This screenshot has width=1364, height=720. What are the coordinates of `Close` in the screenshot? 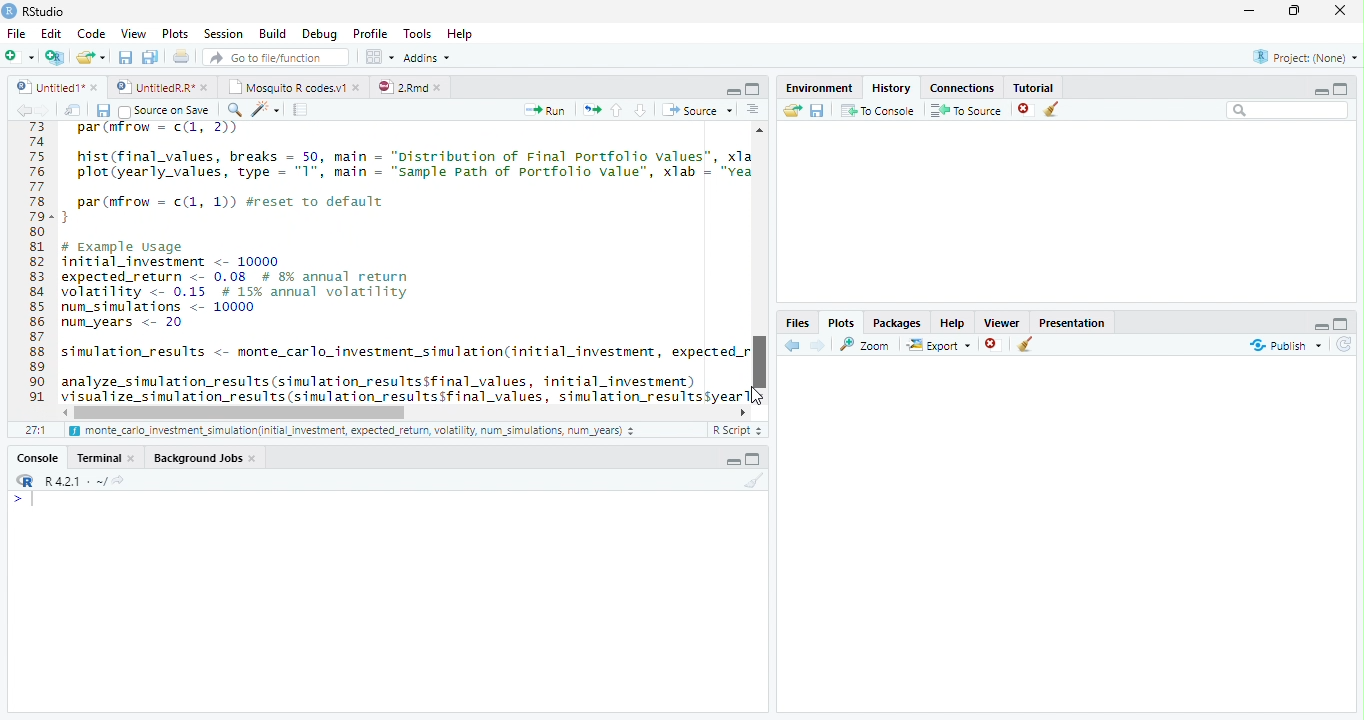 It's located at (1342, 12).